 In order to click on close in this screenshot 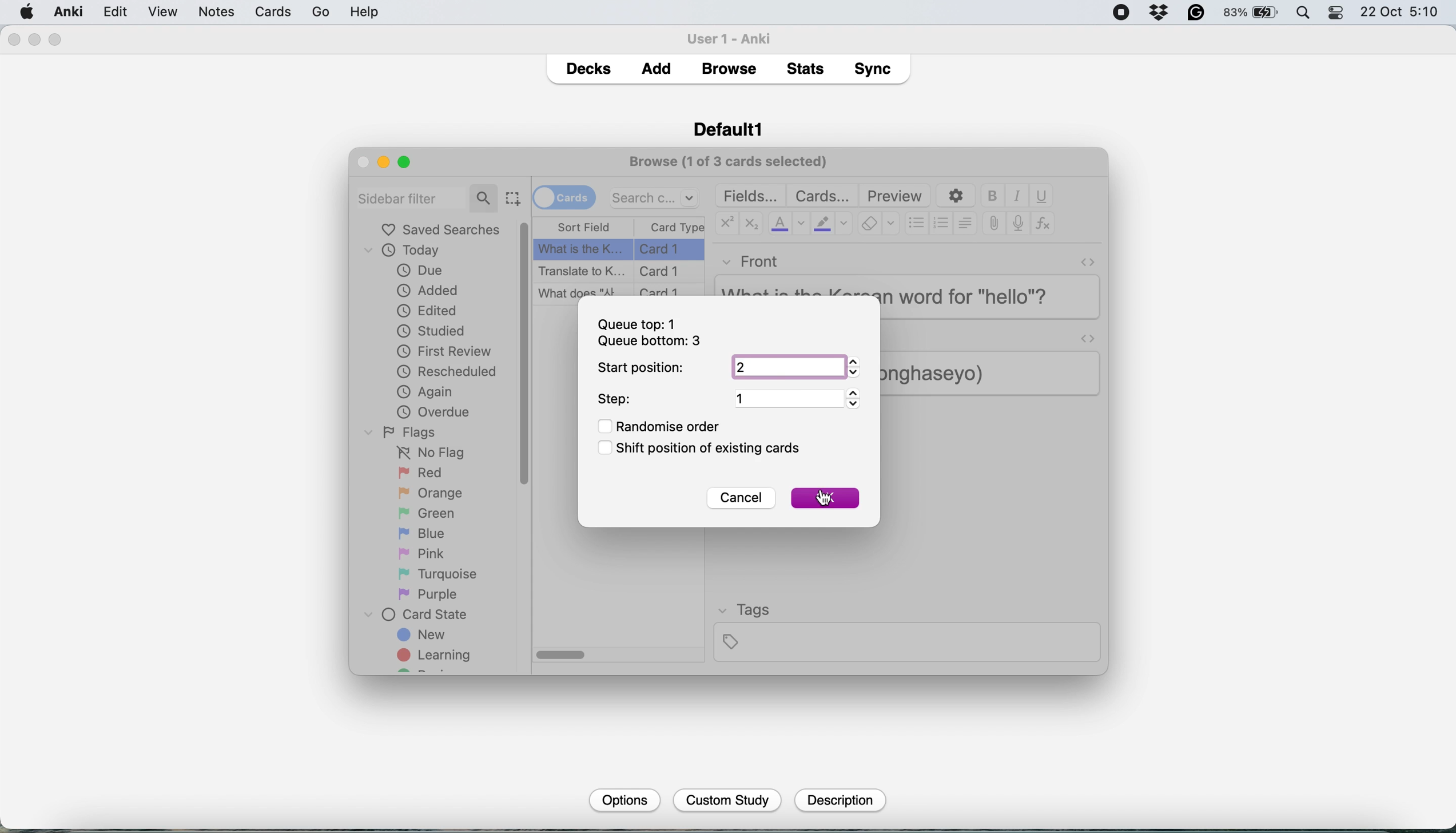, I will do `click(363, 161)`.